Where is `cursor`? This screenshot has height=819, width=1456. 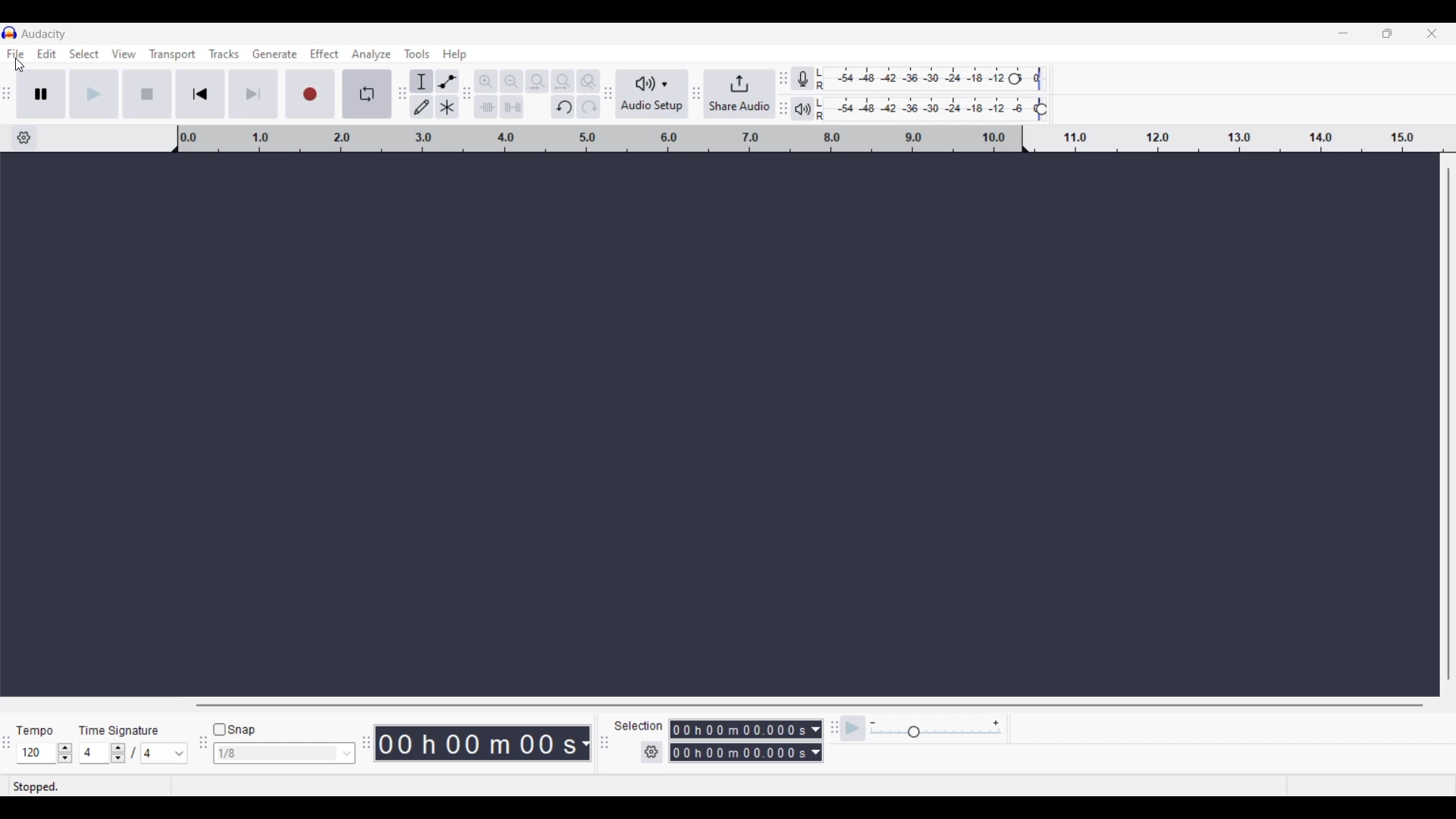
cursor is located at coordinates (23, 67).